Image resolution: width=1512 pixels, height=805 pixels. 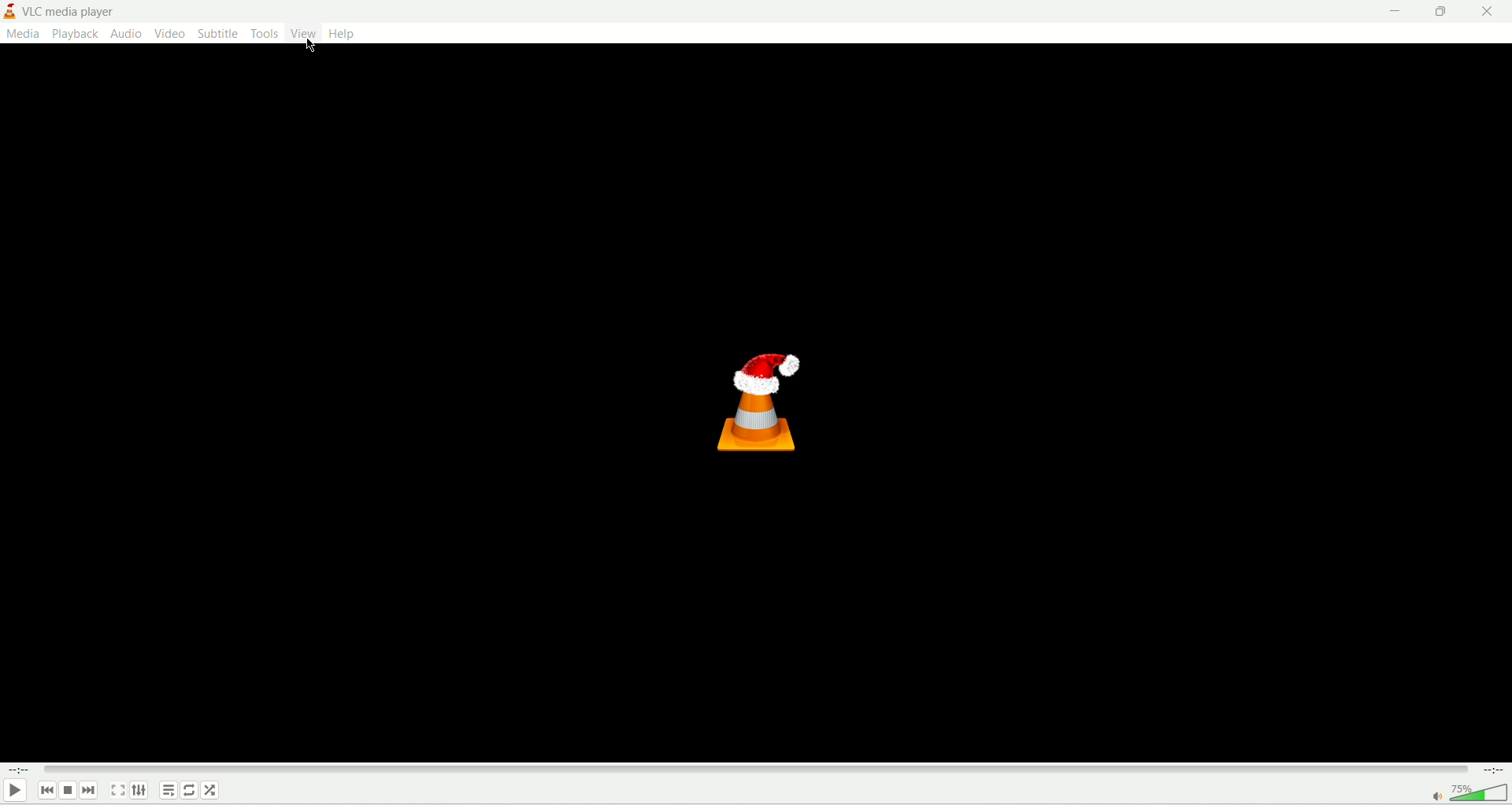 I want to click on vlc media player logo, so click(x=764, y=393).